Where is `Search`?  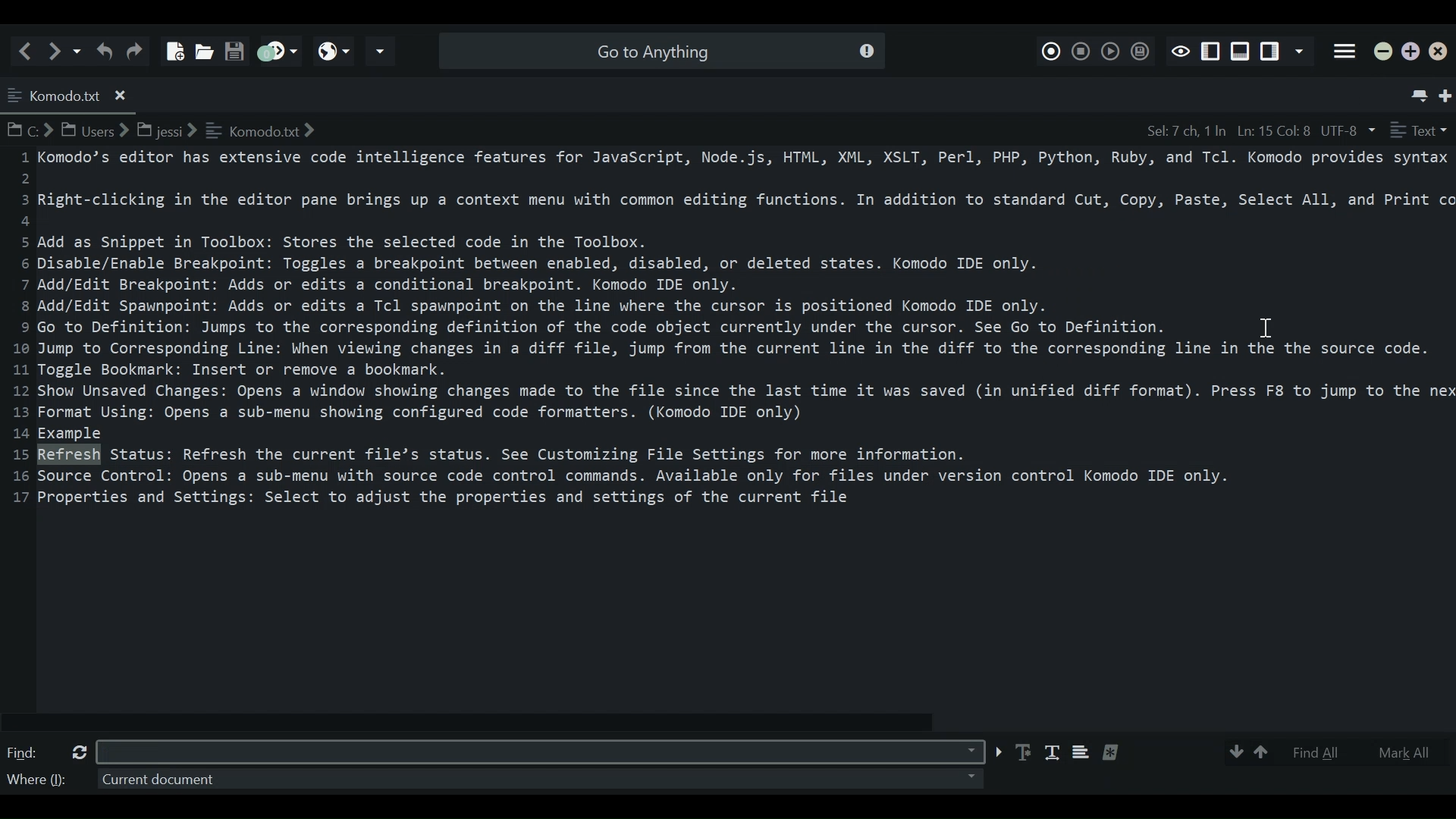
Search is located at coordinates (659, 50).